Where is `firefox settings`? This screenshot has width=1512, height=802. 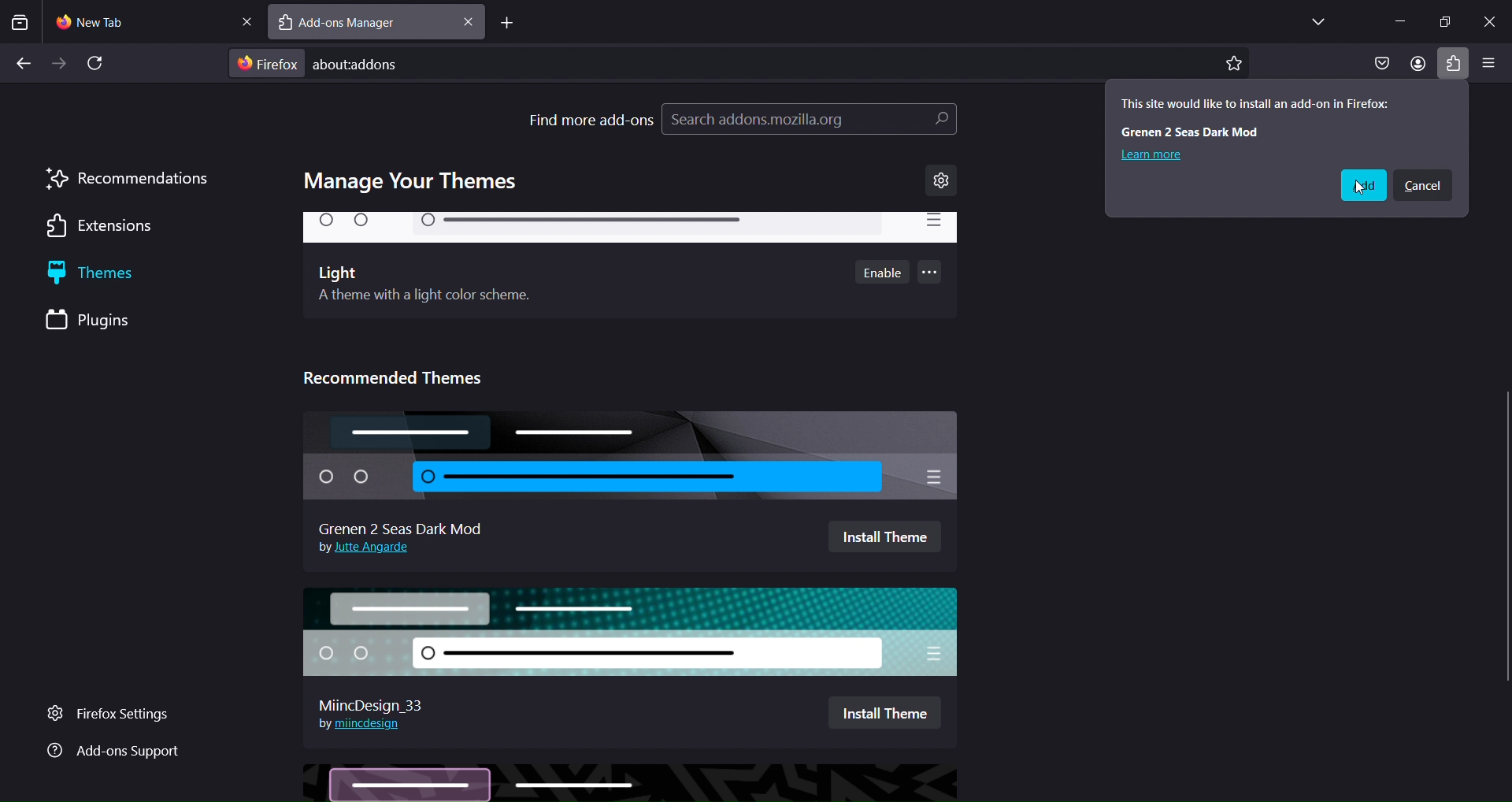
firefox settings is located at coordinates (120, 715).